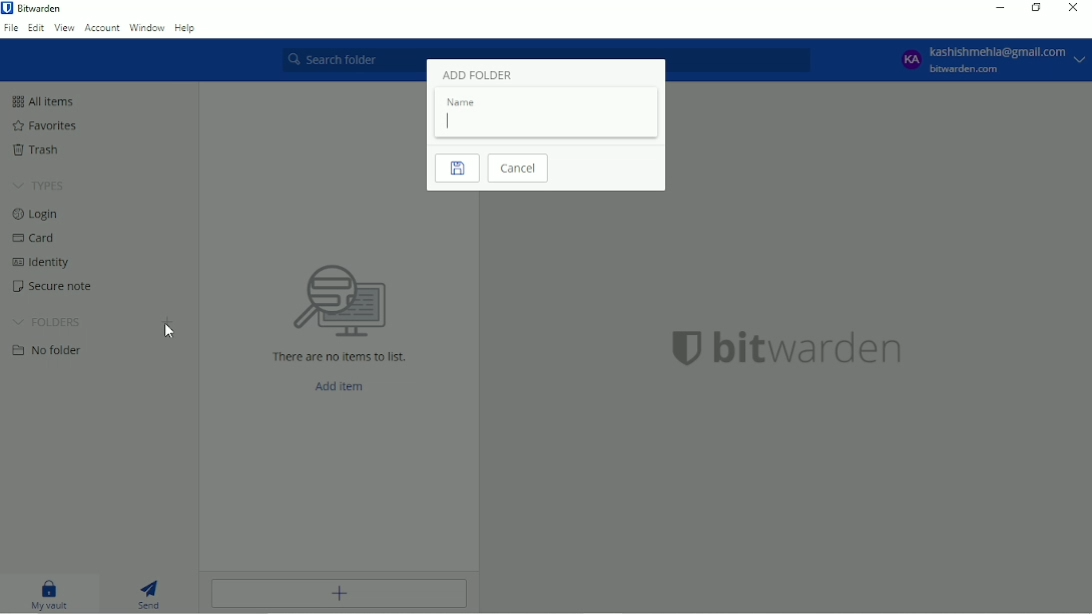 This screenshot has width=1092, height=614. What do you see at coordinates (339, 298) in the screenshot?
I see `searching for folder logo` at bounding box center [339, 298].